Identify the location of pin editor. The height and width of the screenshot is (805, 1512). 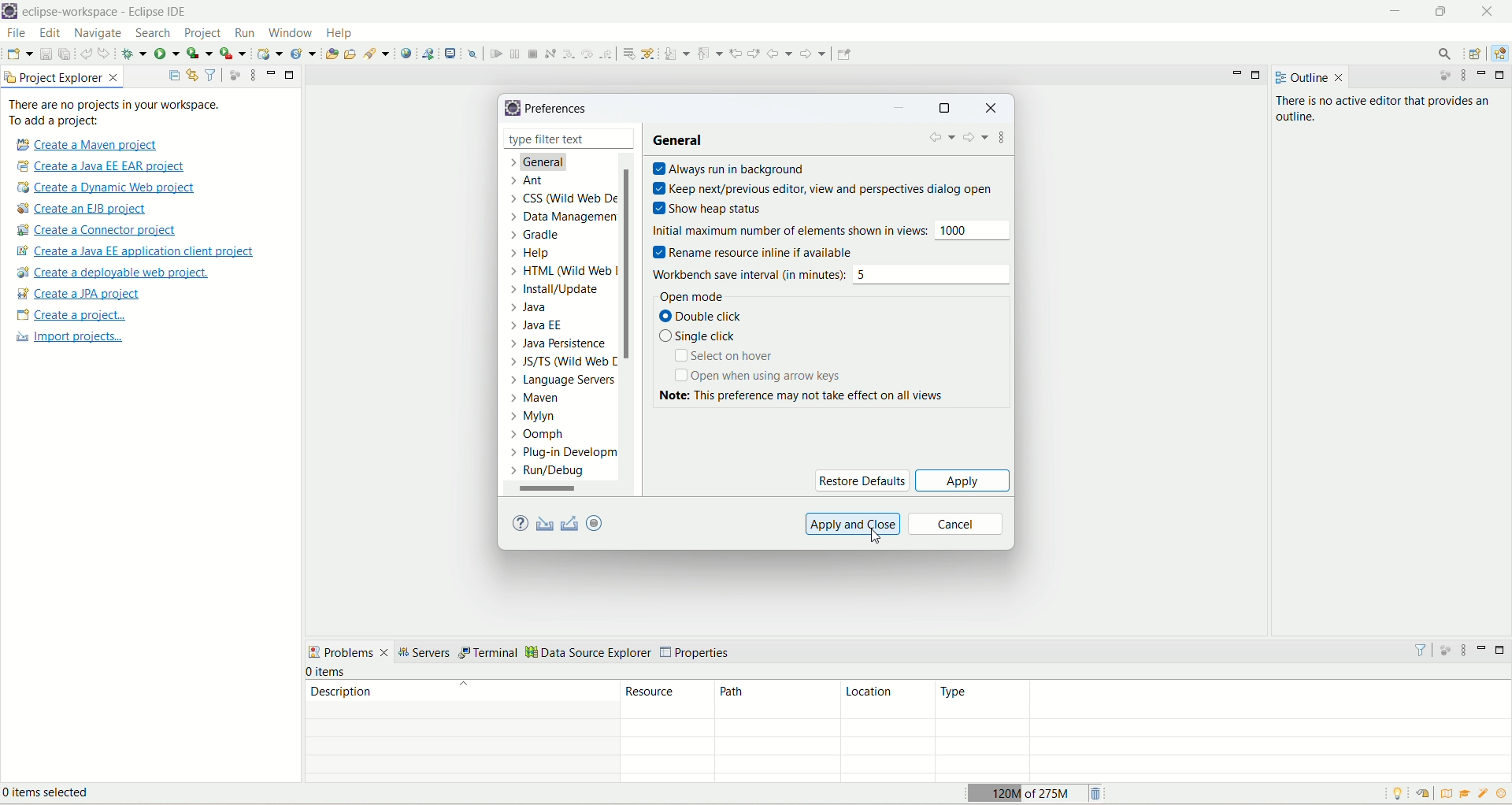
(844, 54).